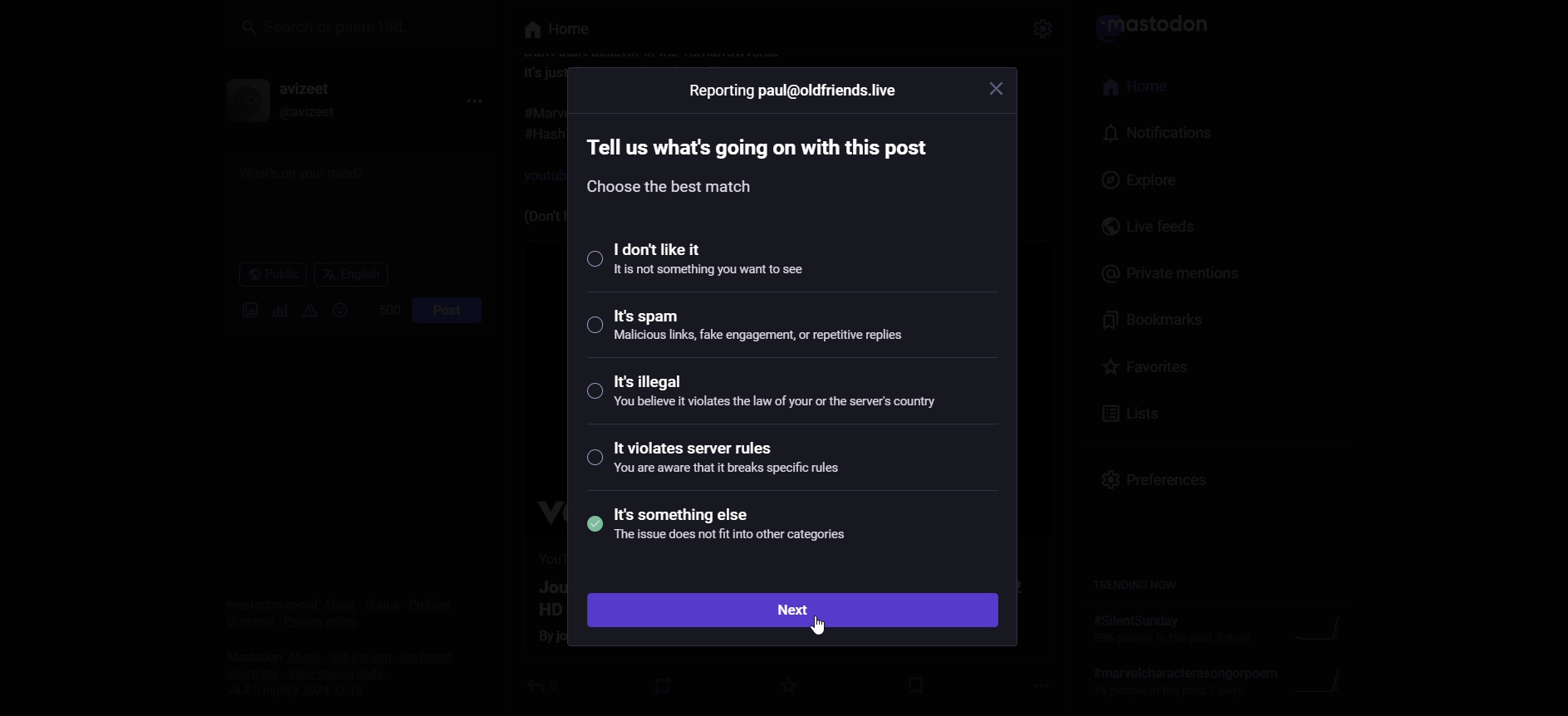 The image size is (1568, 716). What do you see at coordinates (1136, 180) in the screenshot?
I see `explore` at bounding box center [1136, 180].